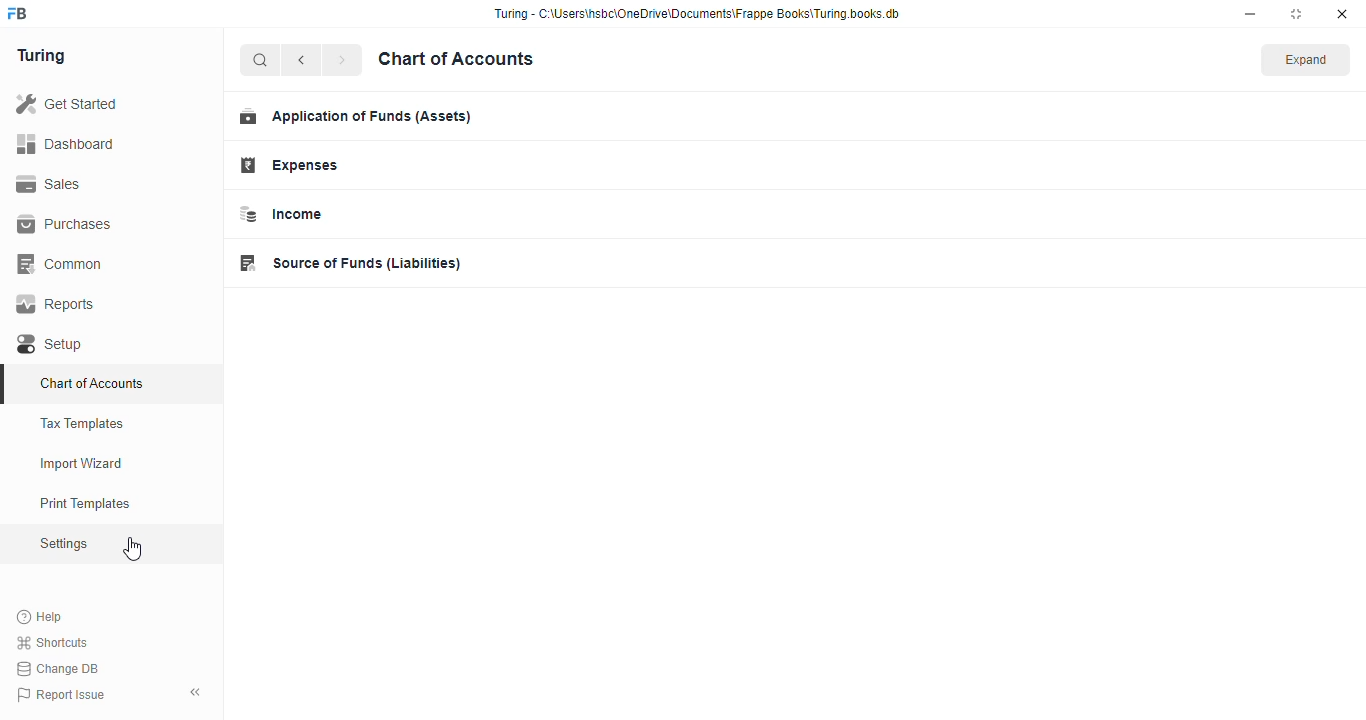  I want to click on turing, so click(40, 55).